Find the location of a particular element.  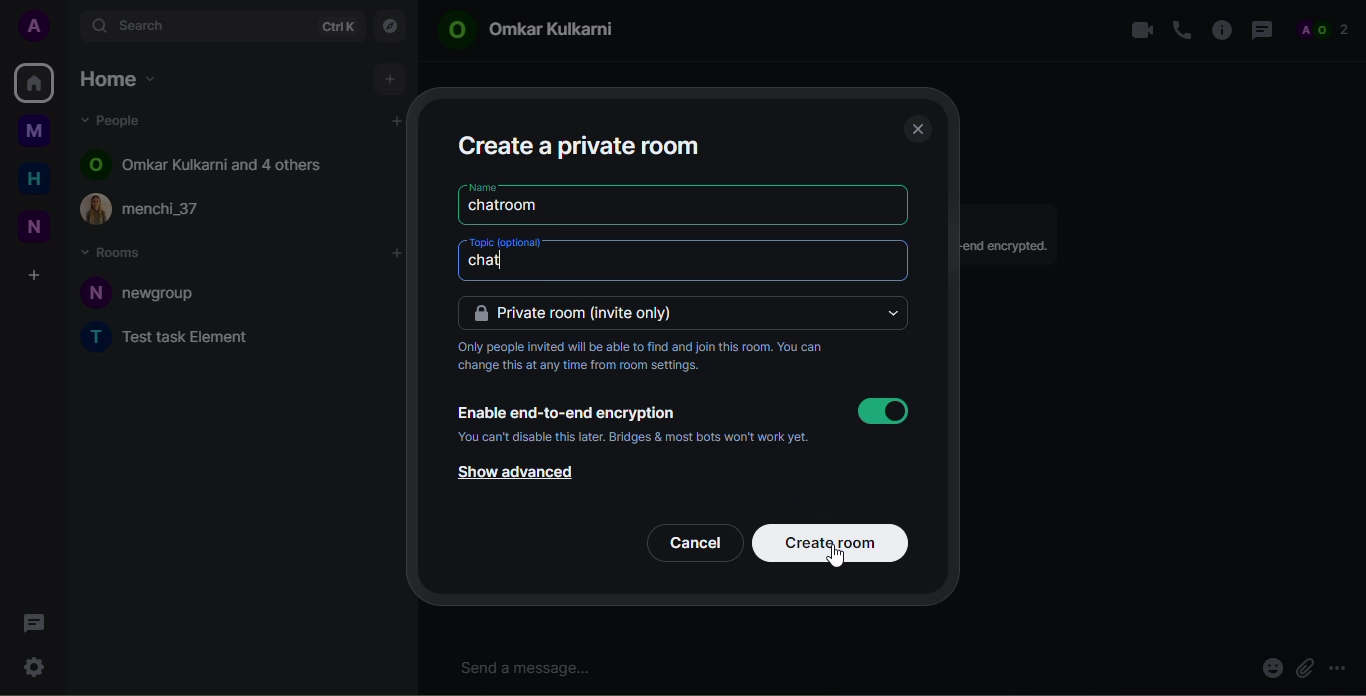

info is located at coordinates (1010, 247).